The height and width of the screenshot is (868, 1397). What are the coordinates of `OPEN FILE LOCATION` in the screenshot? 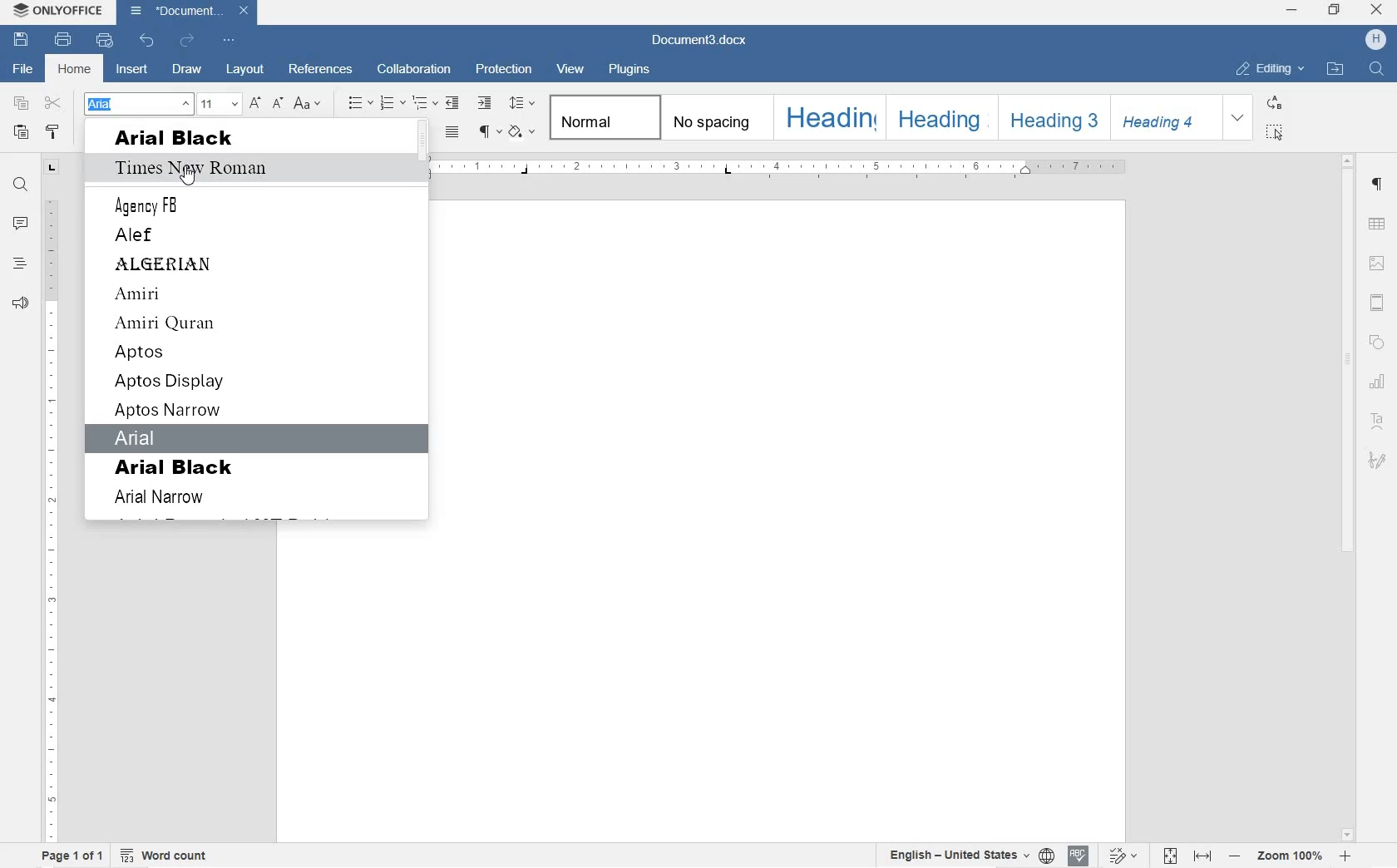 It's located at (1335, 67).